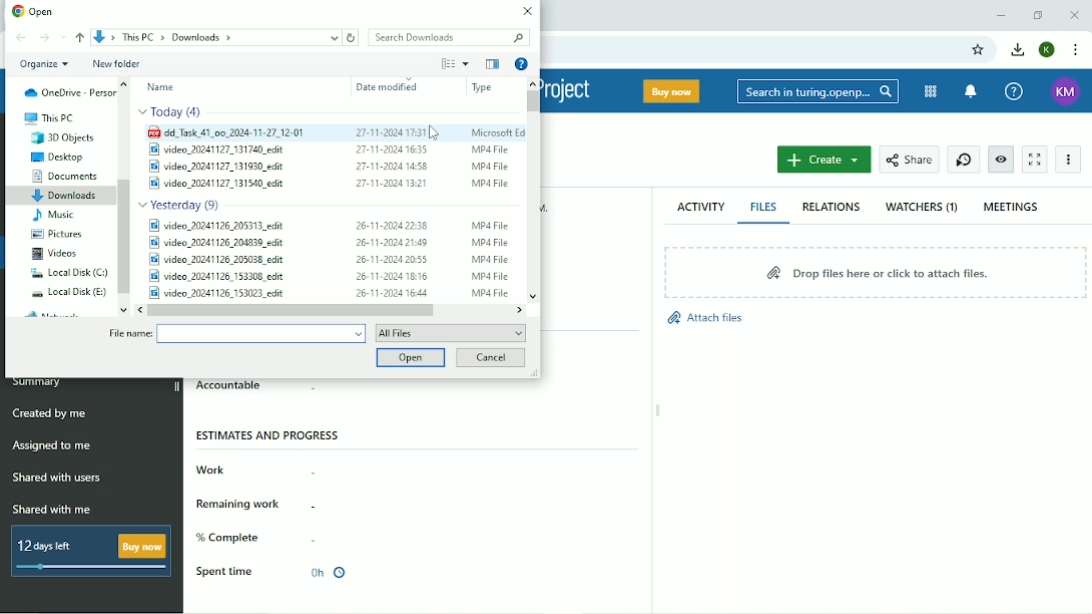  What do you see at coordinates (532, 101) in the screenshot?
I see `Vertical scrollbar` at bounding box center [532, 101].